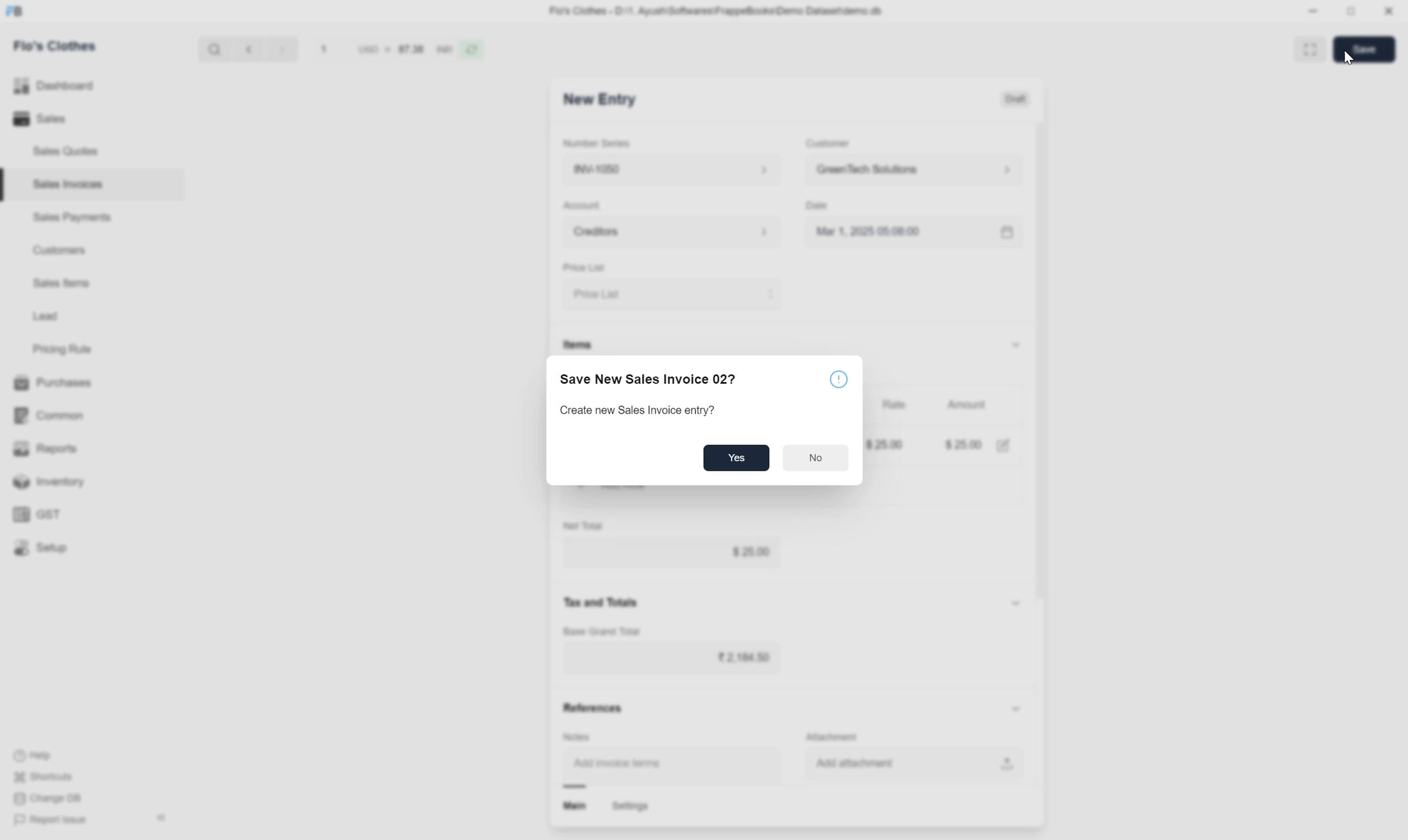  I want to click on Date, so click(820, 207).